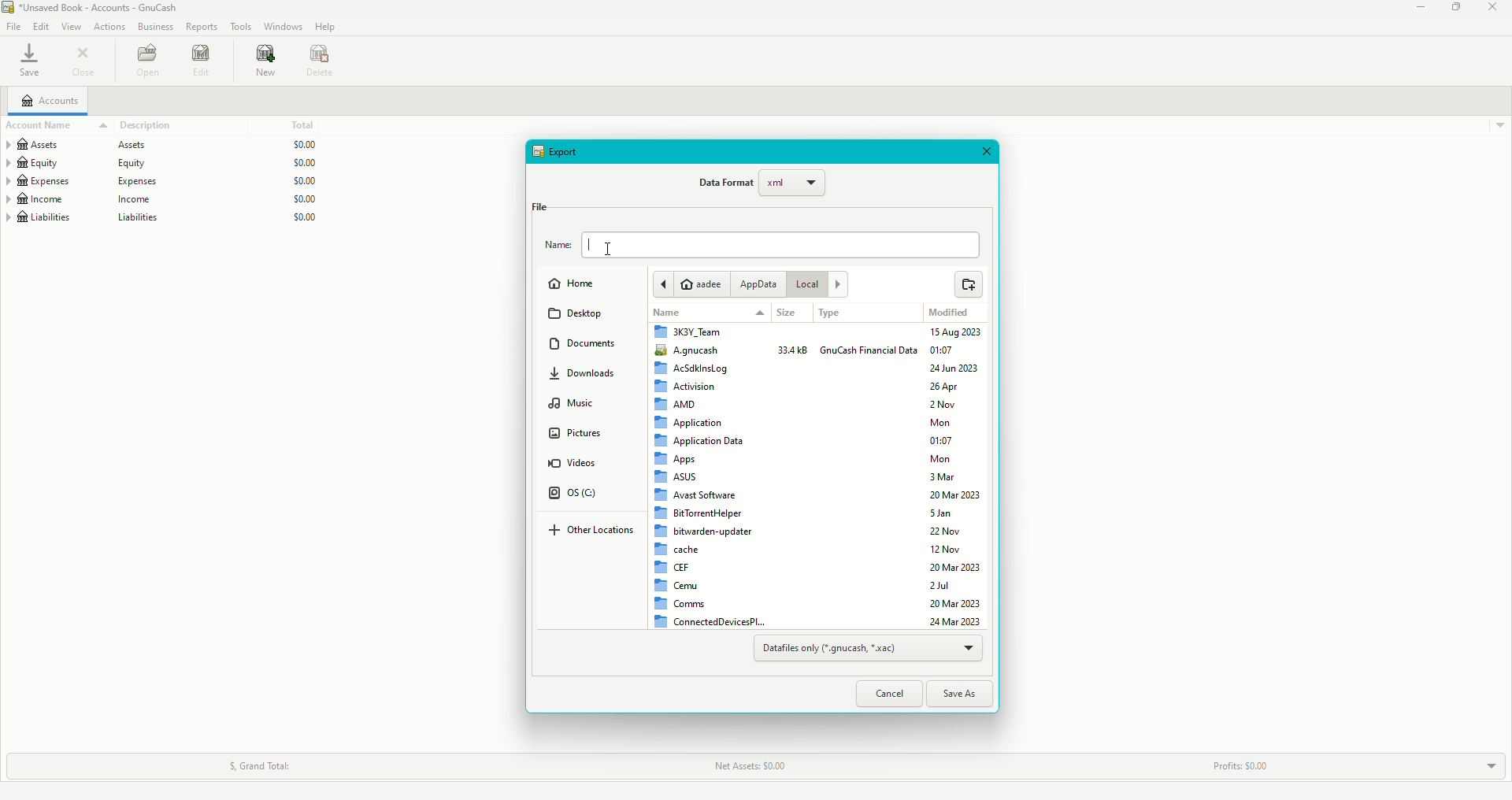  What do you see at coordinates (693, 283) in the screenshot?
I see `aadee` at bounding box center [693, 283].